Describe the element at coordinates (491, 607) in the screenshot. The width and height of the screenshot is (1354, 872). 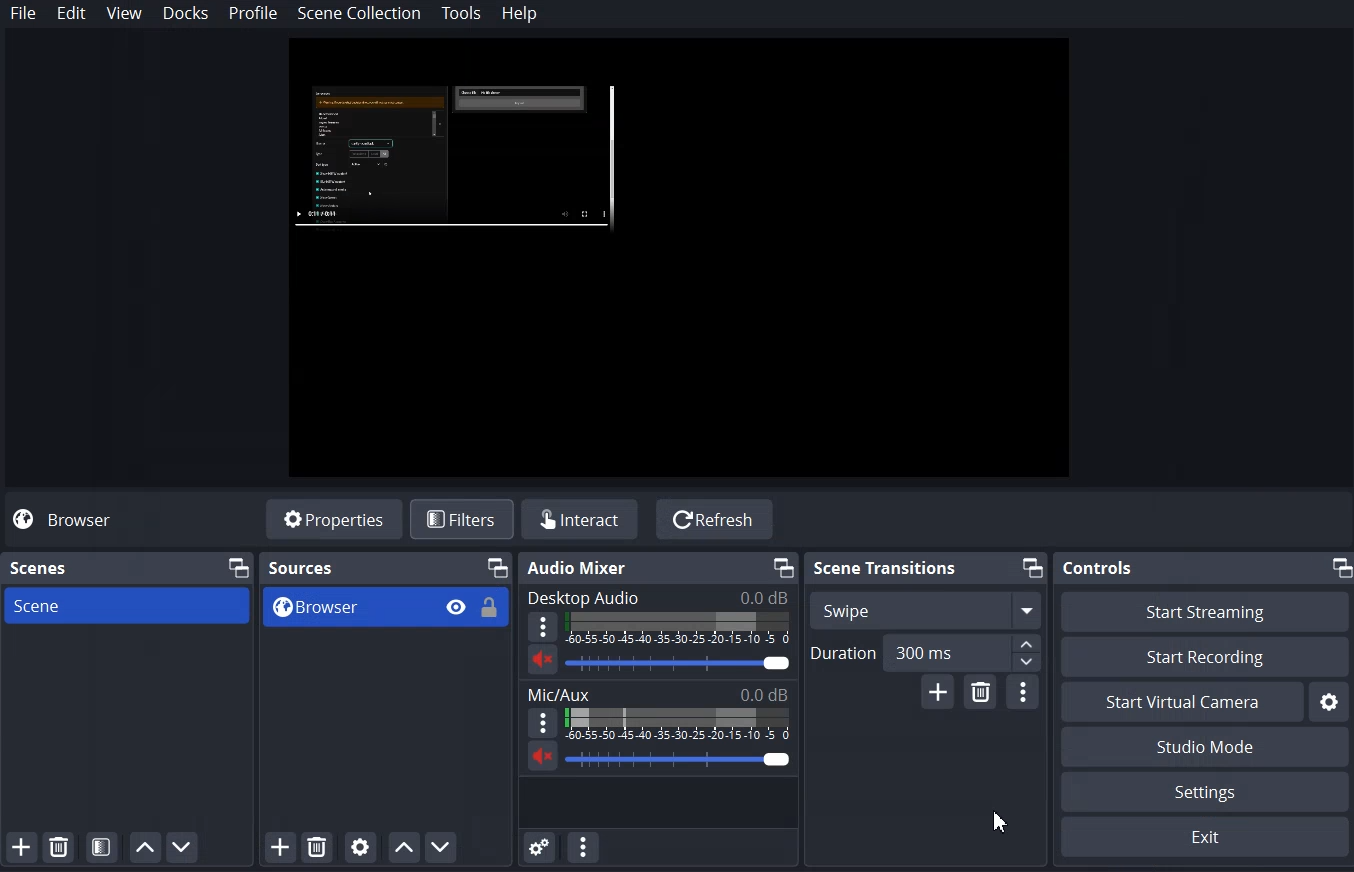
I see `Unlock` at that location.